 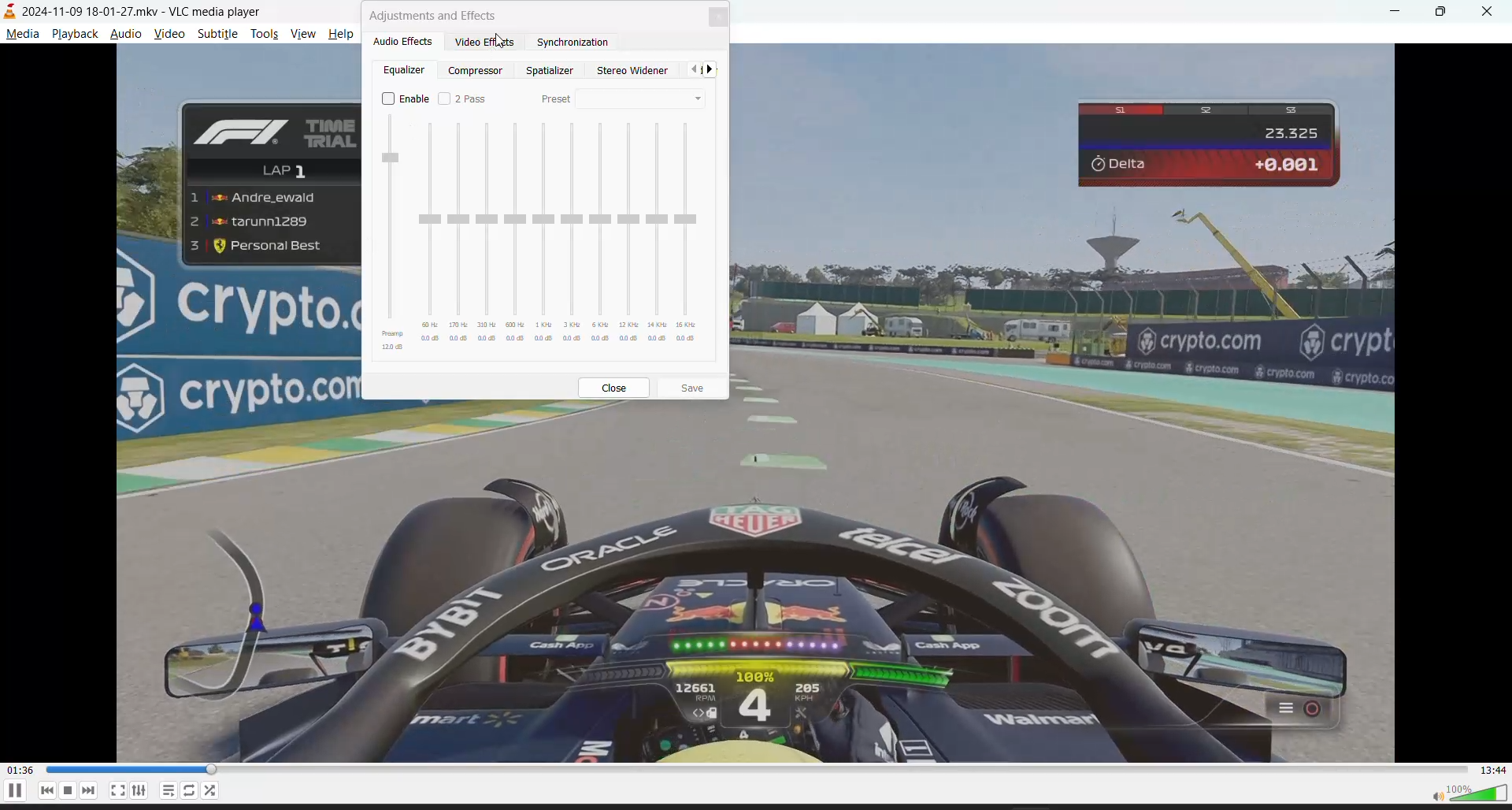 What do you see at coordinates (138, 790) in the screenshot?
I see `settings` at bounding box center [138, 790].